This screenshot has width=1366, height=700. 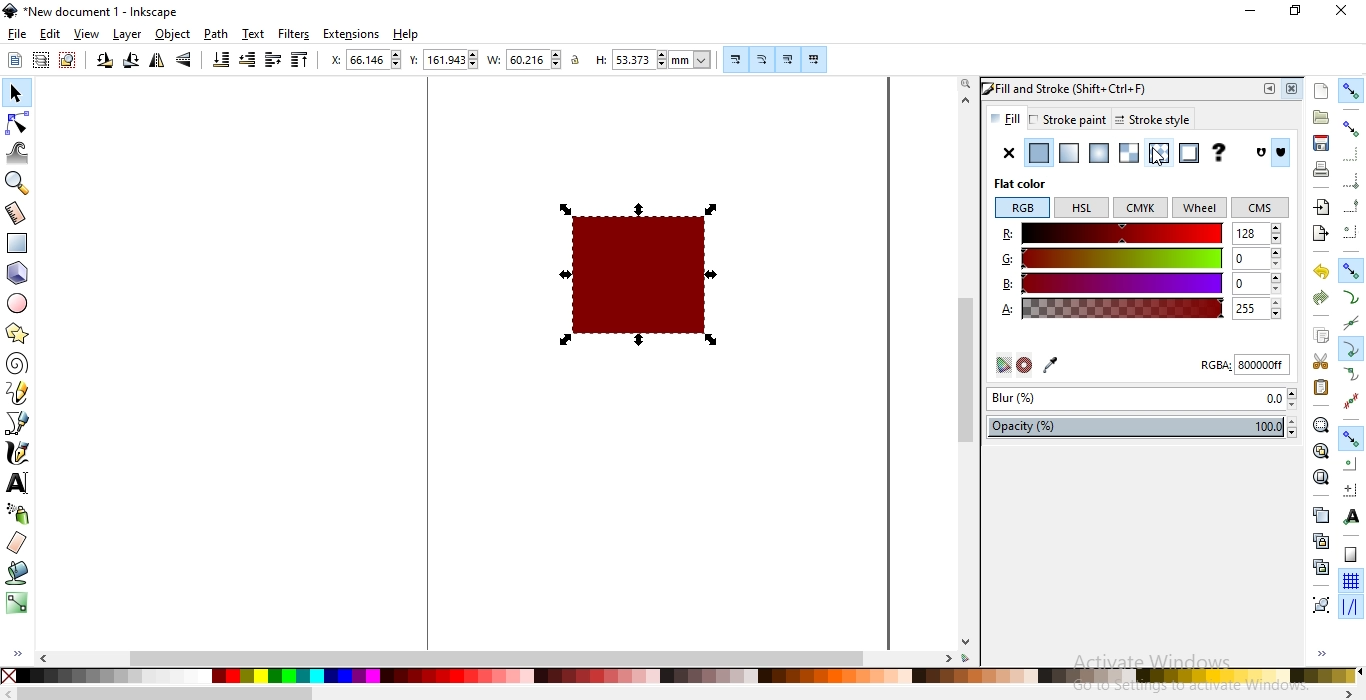 What do you see at coordinates (1149, 120) in the screenshot?
I see `stroke style` at bounding box center [1149, 120].